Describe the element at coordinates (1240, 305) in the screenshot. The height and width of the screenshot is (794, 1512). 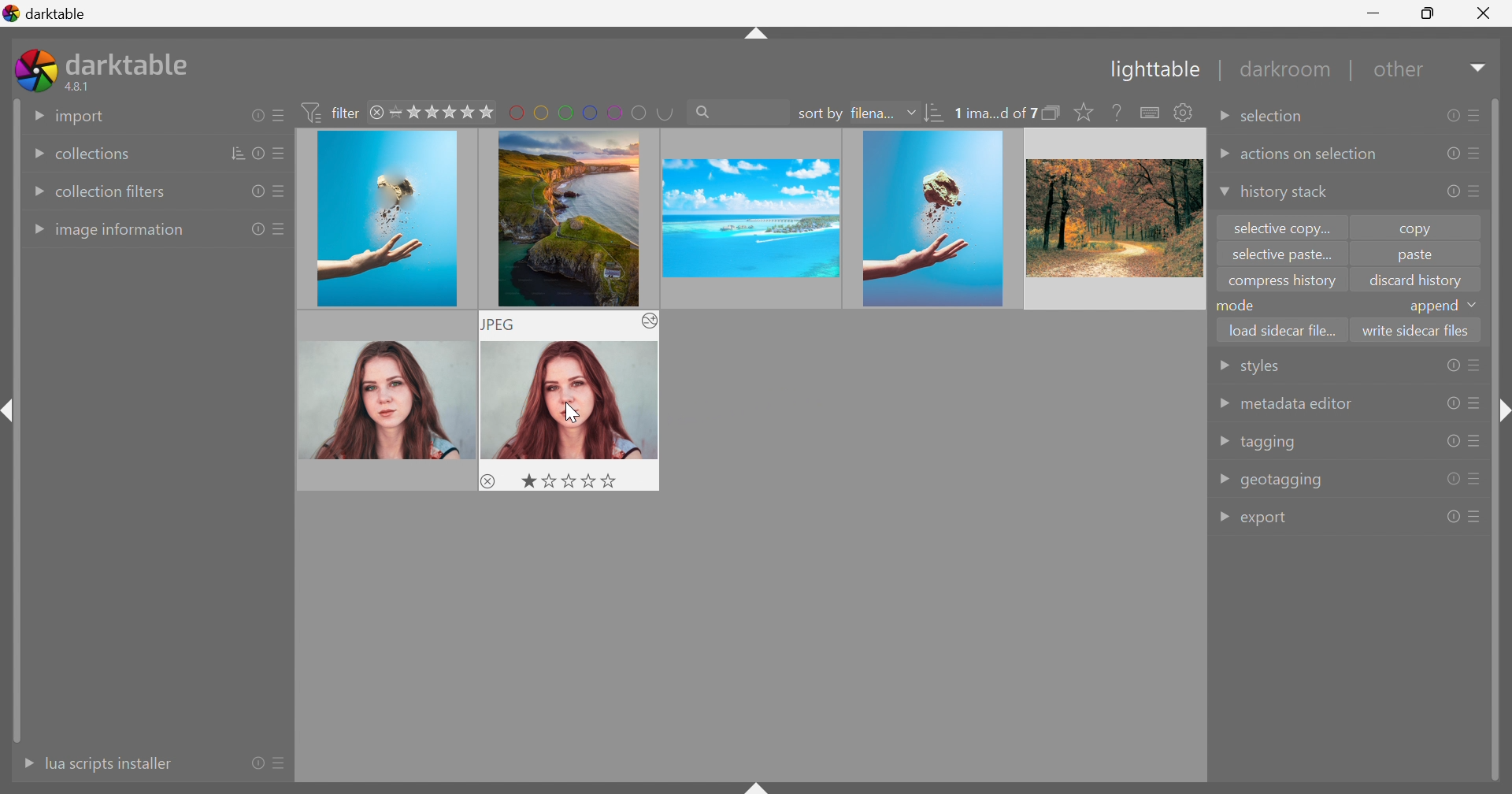
I see `mode` at that location.